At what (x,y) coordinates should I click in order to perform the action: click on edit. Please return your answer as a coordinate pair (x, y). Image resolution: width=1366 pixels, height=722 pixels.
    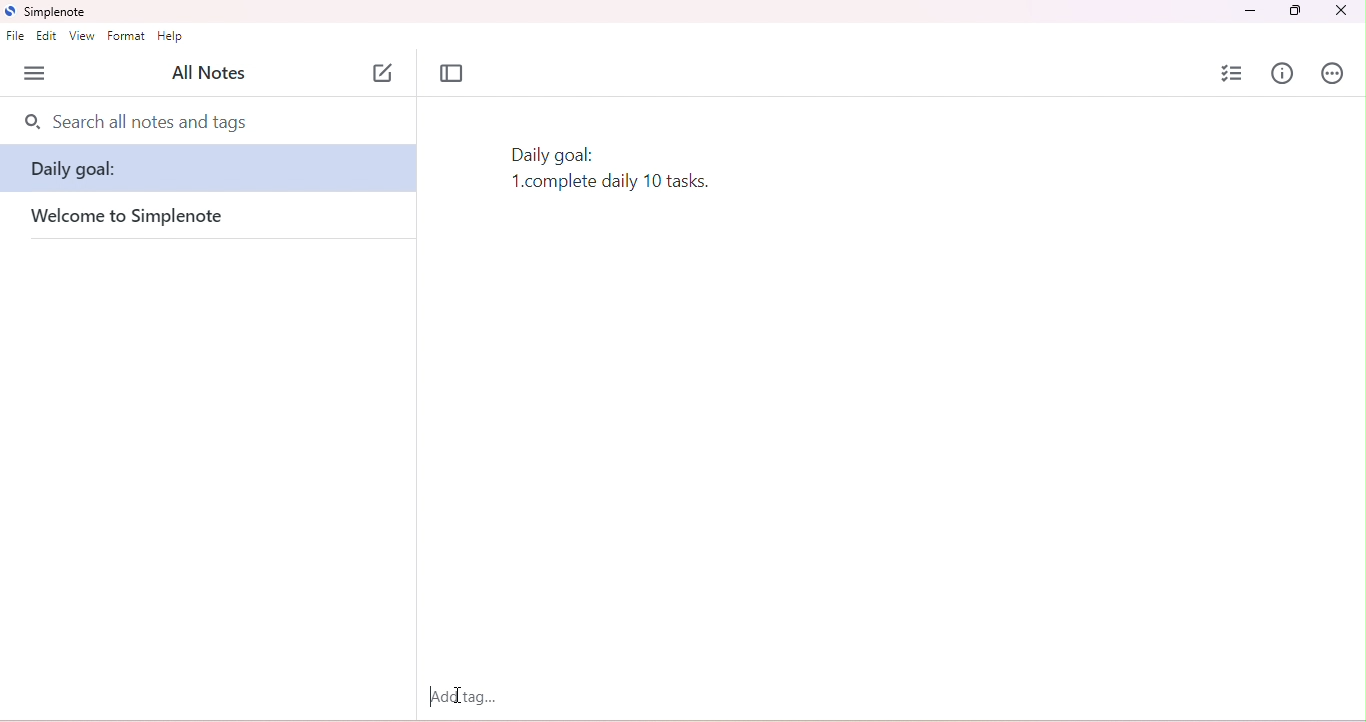
    Looking at the image, I should click on (47, 36).